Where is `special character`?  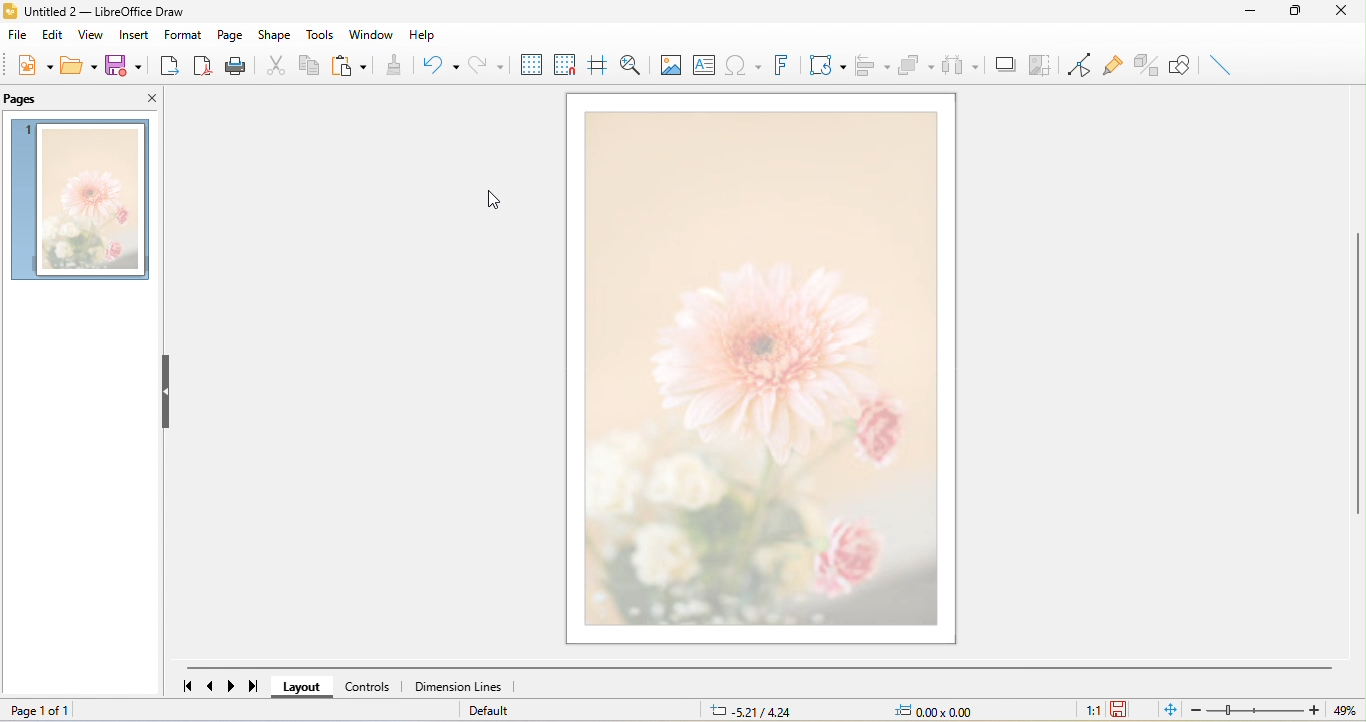 special character is located at coordinates (745, 66).